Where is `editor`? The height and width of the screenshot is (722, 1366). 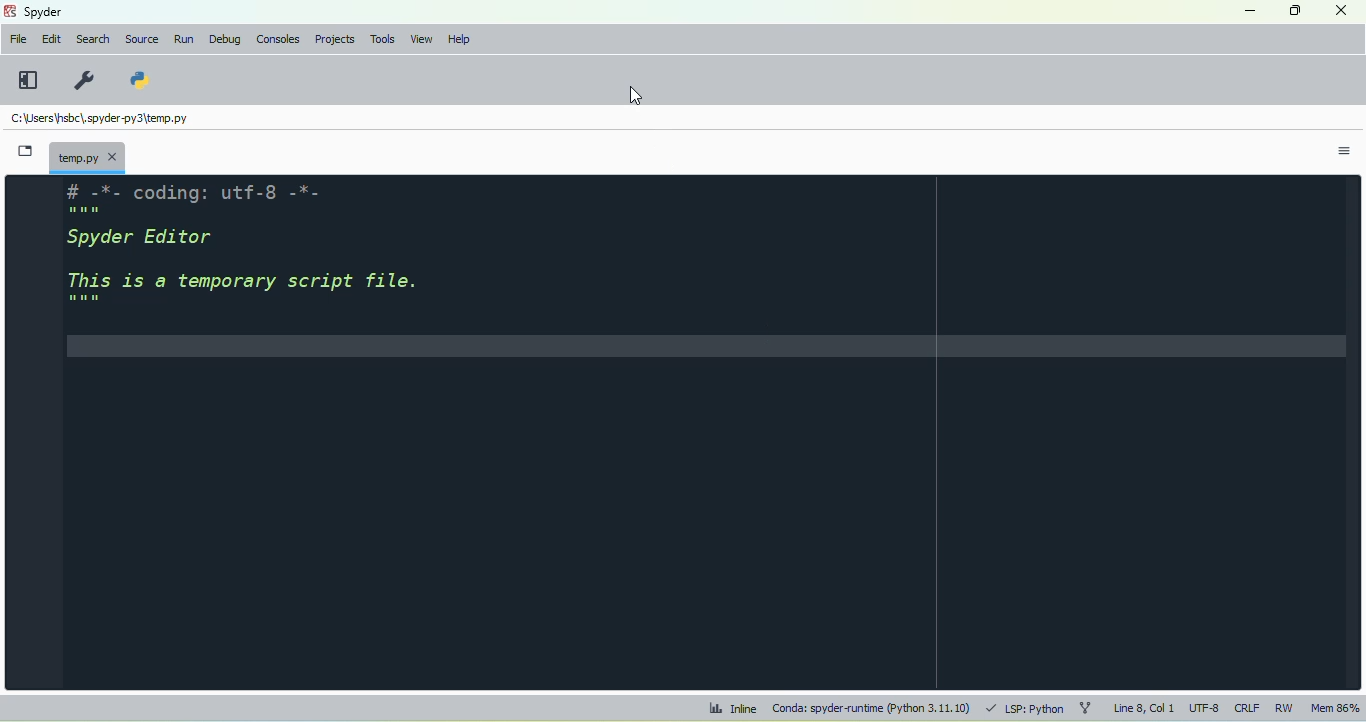 editor is located at coordinates (699, 431).